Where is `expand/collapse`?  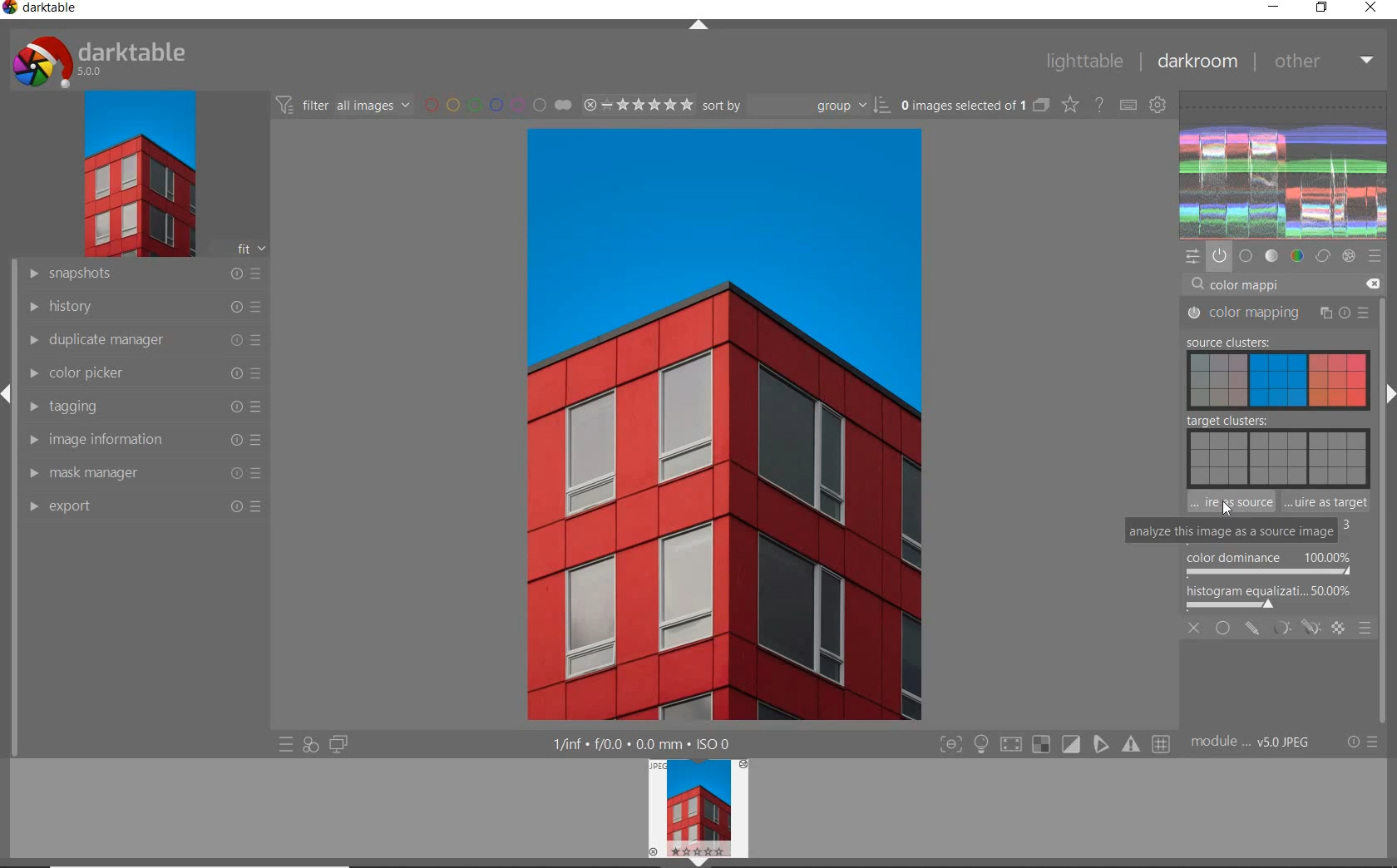
expand/collapse is located at coordinates (698, 24).